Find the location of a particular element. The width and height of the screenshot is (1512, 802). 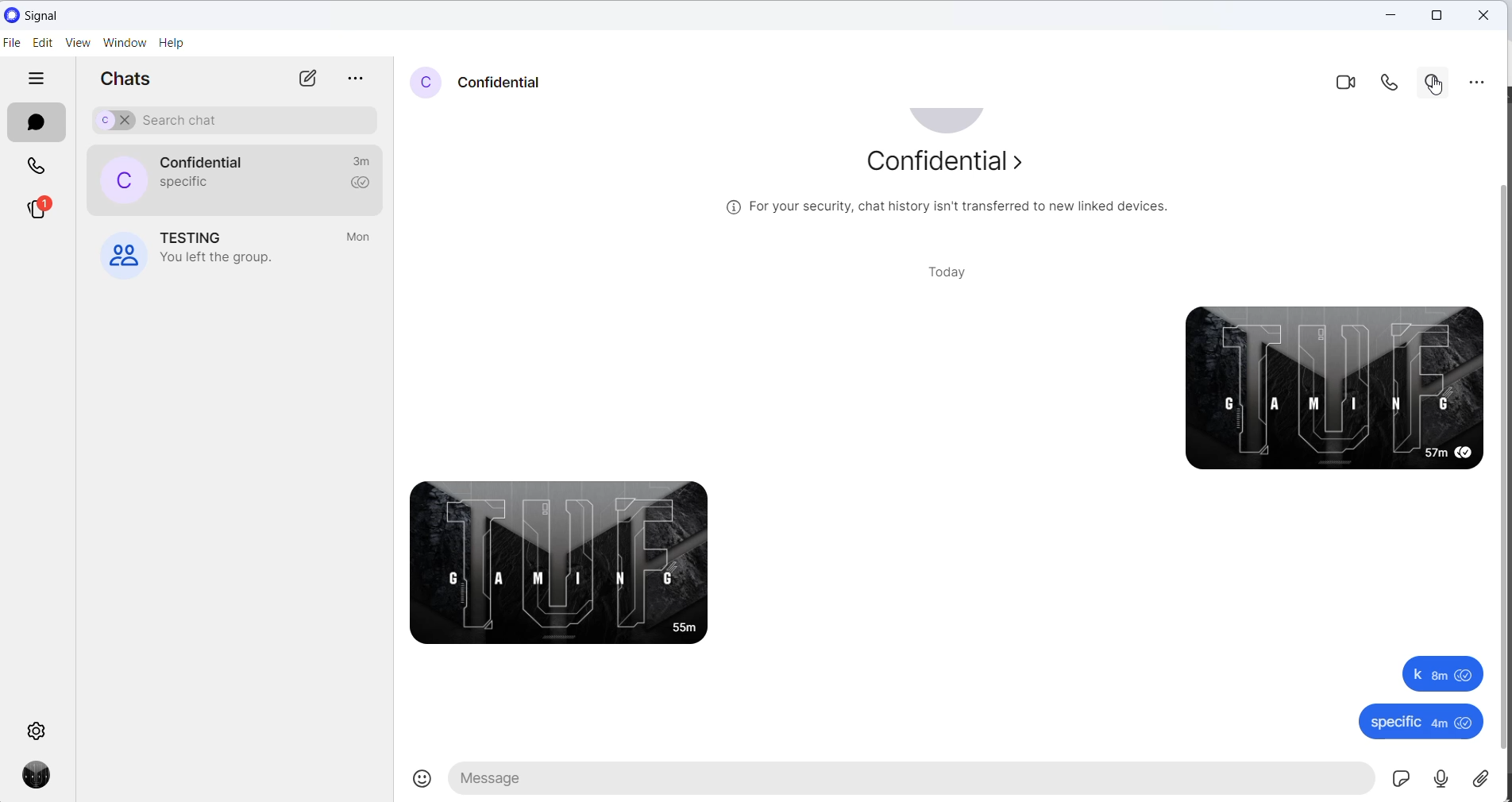

view is located at coordinates (82, 44).